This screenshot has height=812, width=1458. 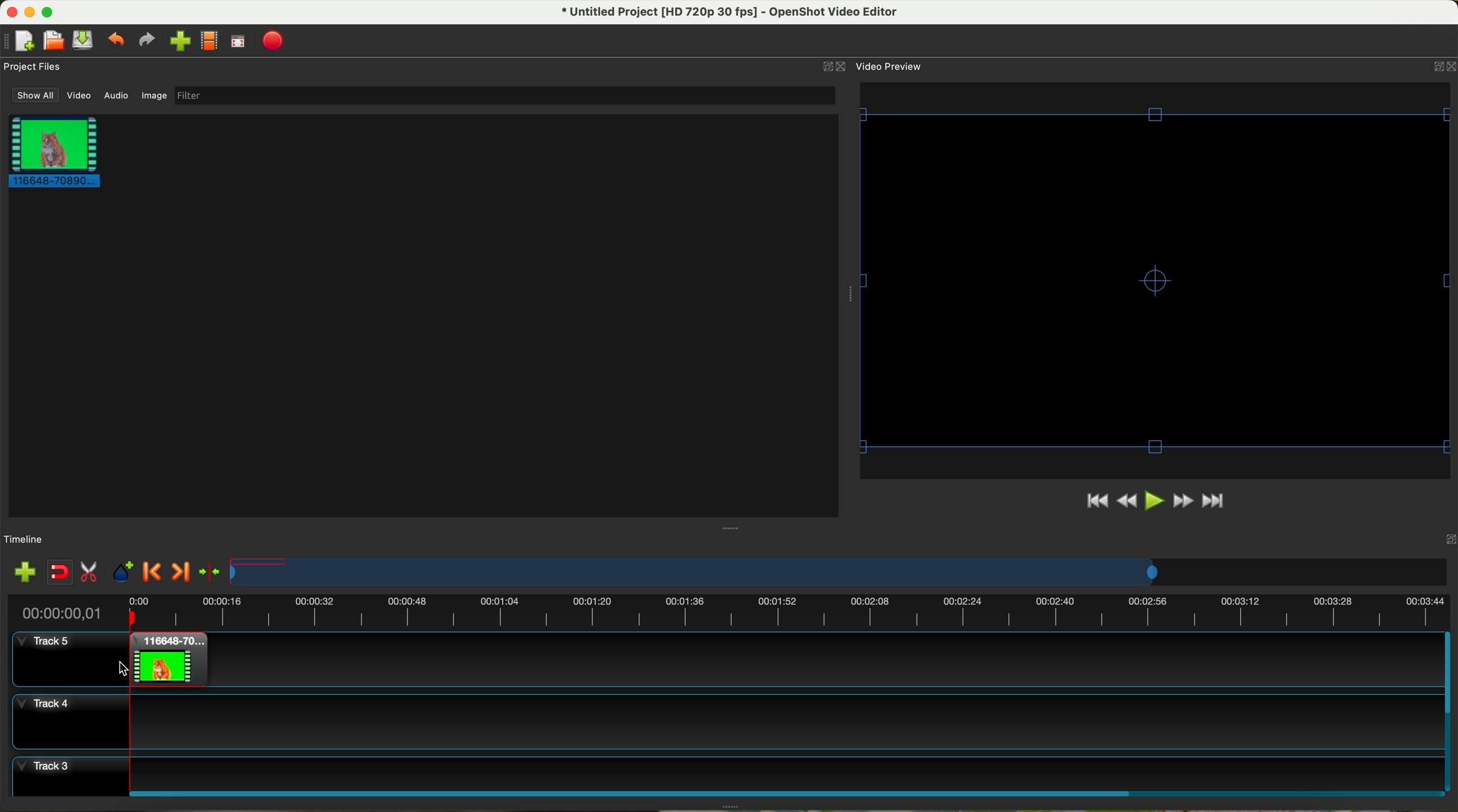 I want to click on save project, so click(x=84, y=40).